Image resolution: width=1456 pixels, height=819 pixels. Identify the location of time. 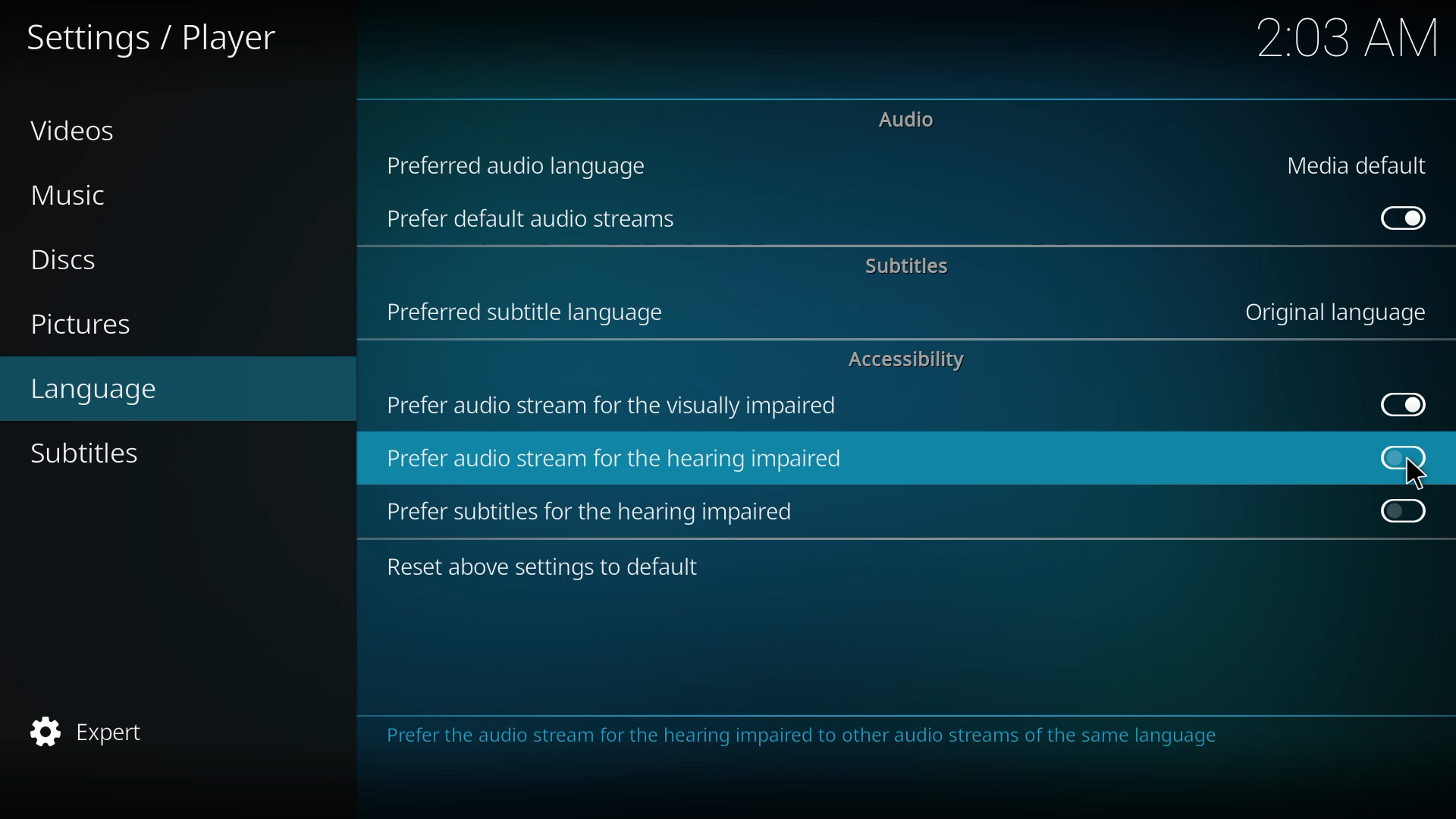
(1348, 38).